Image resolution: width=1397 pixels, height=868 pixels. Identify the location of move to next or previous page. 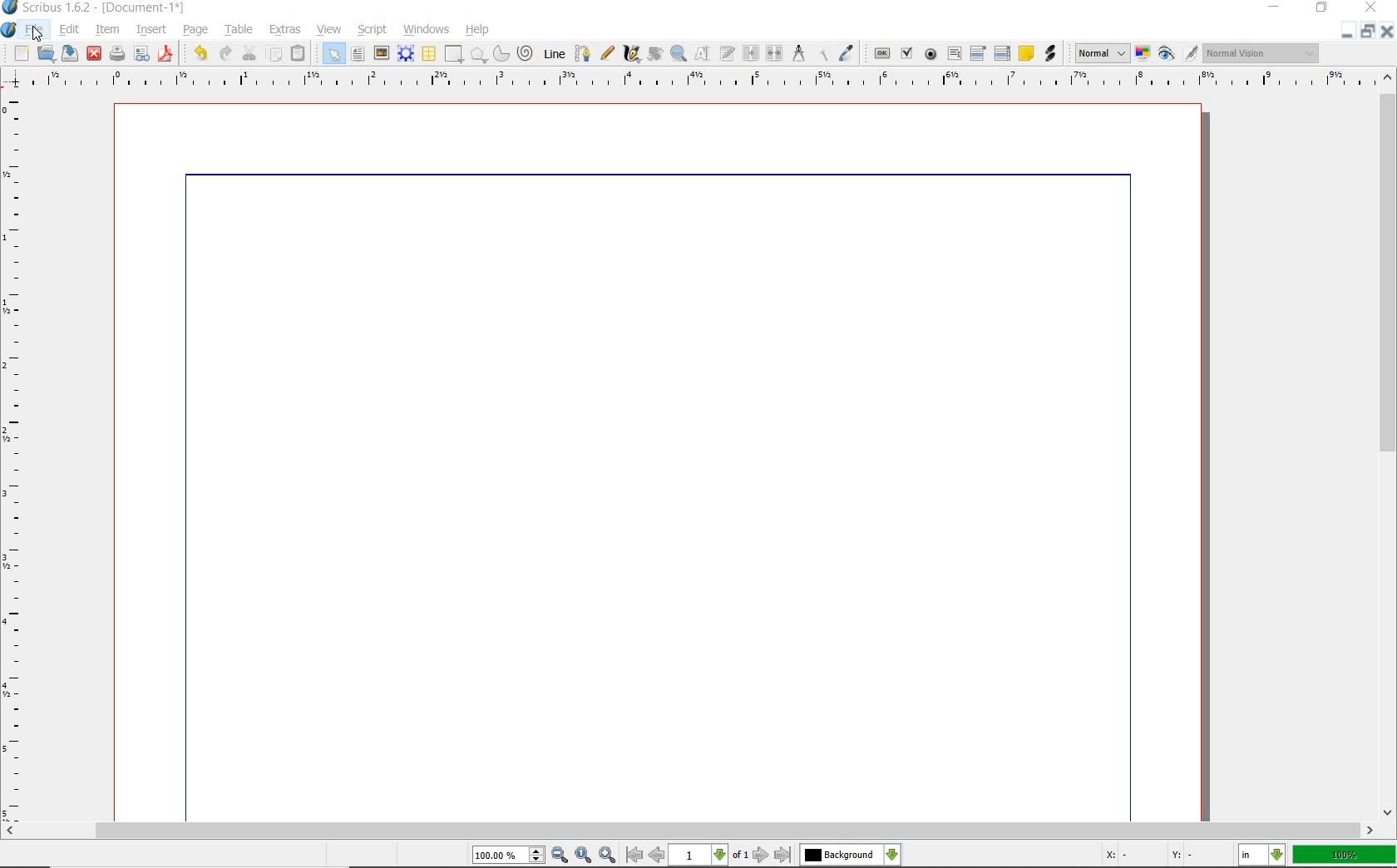
(710, 856).